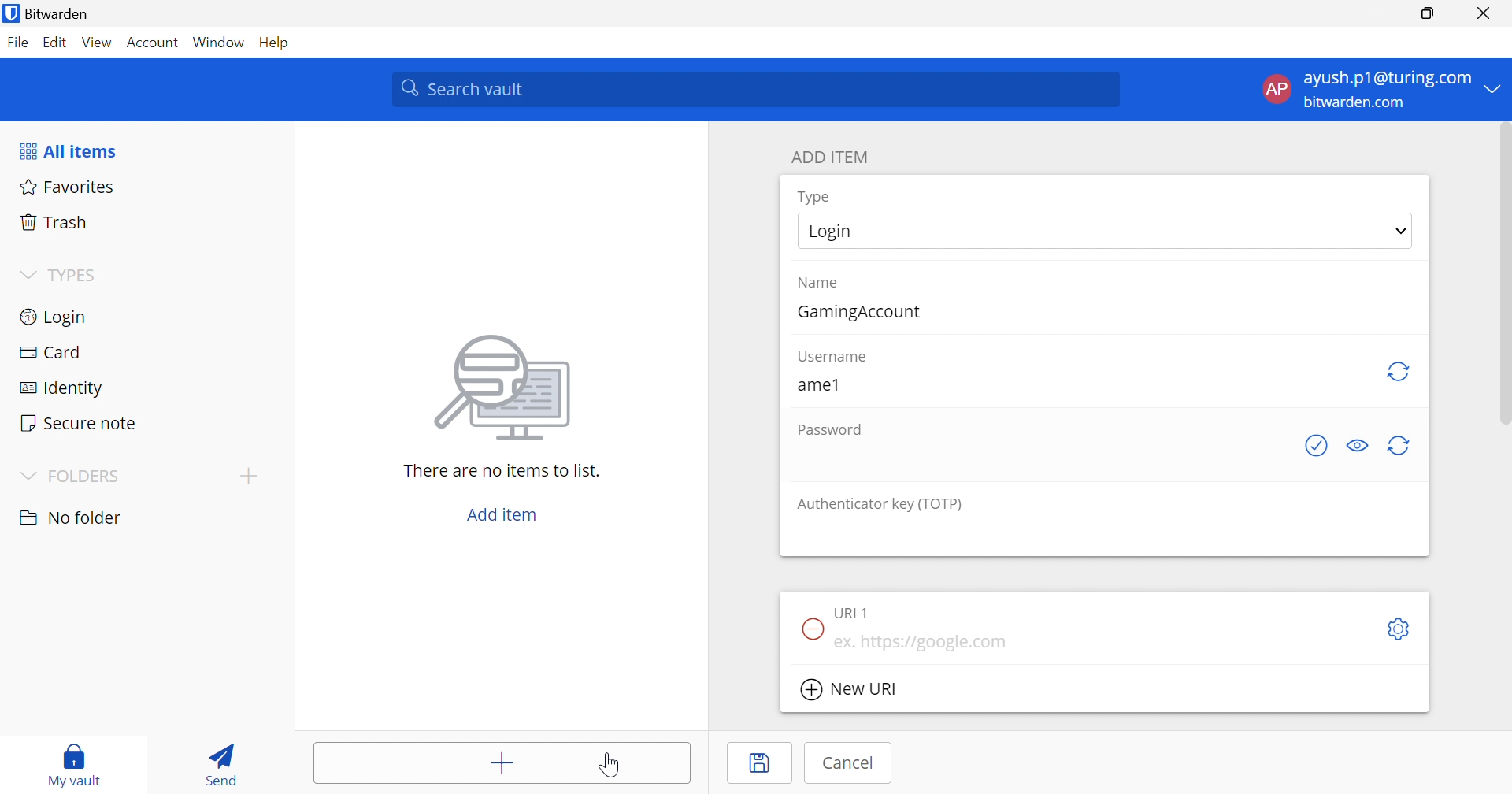  I want to click on Bitwarden, so click(46, 13).